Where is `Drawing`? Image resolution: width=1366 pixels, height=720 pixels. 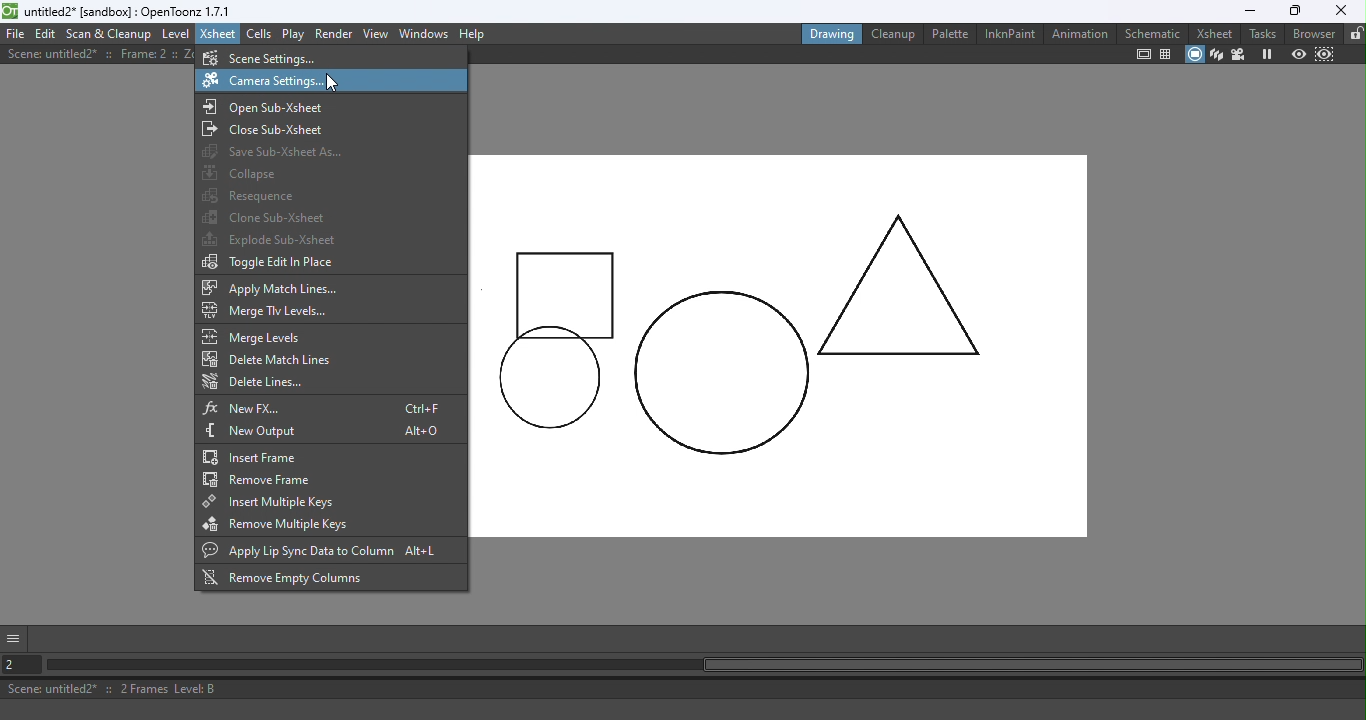 Drawing is located at coordinates (829, 33).